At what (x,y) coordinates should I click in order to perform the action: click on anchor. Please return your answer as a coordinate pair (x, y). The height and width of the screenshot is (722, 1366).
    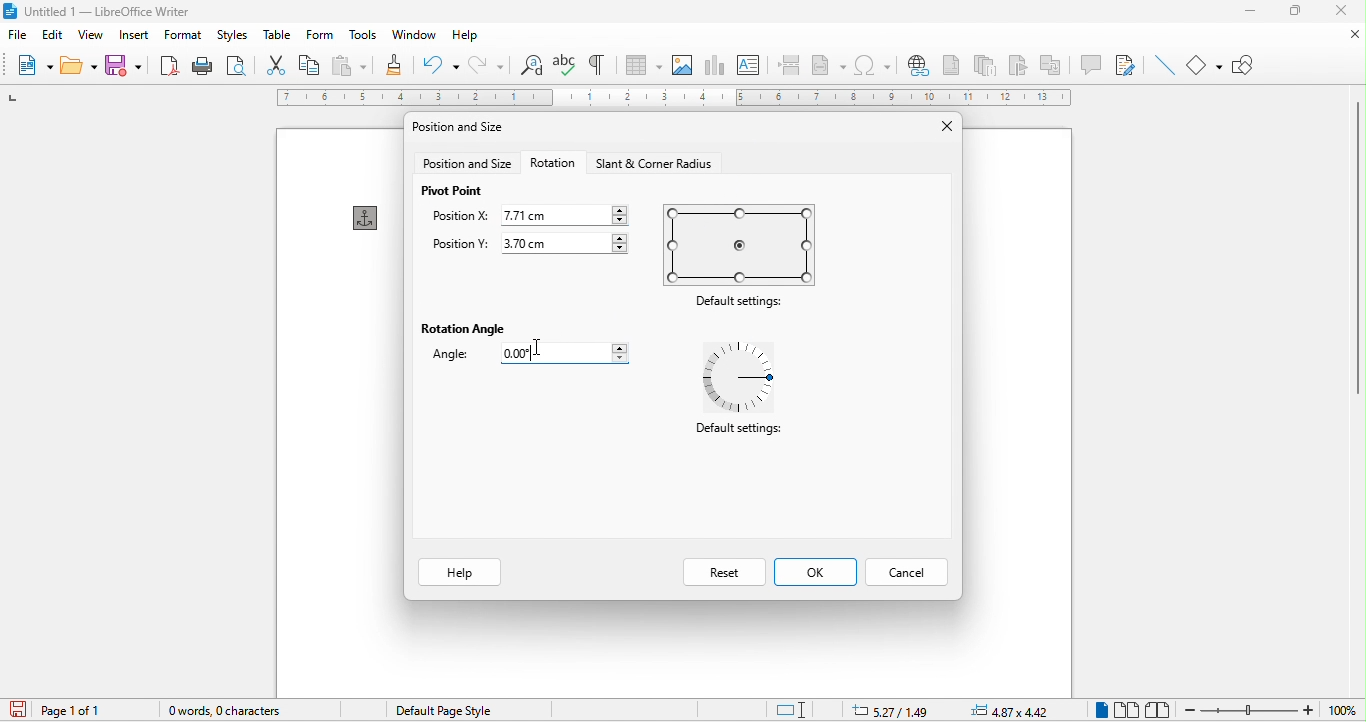
    Looking at the image, I should click on (370, 218).